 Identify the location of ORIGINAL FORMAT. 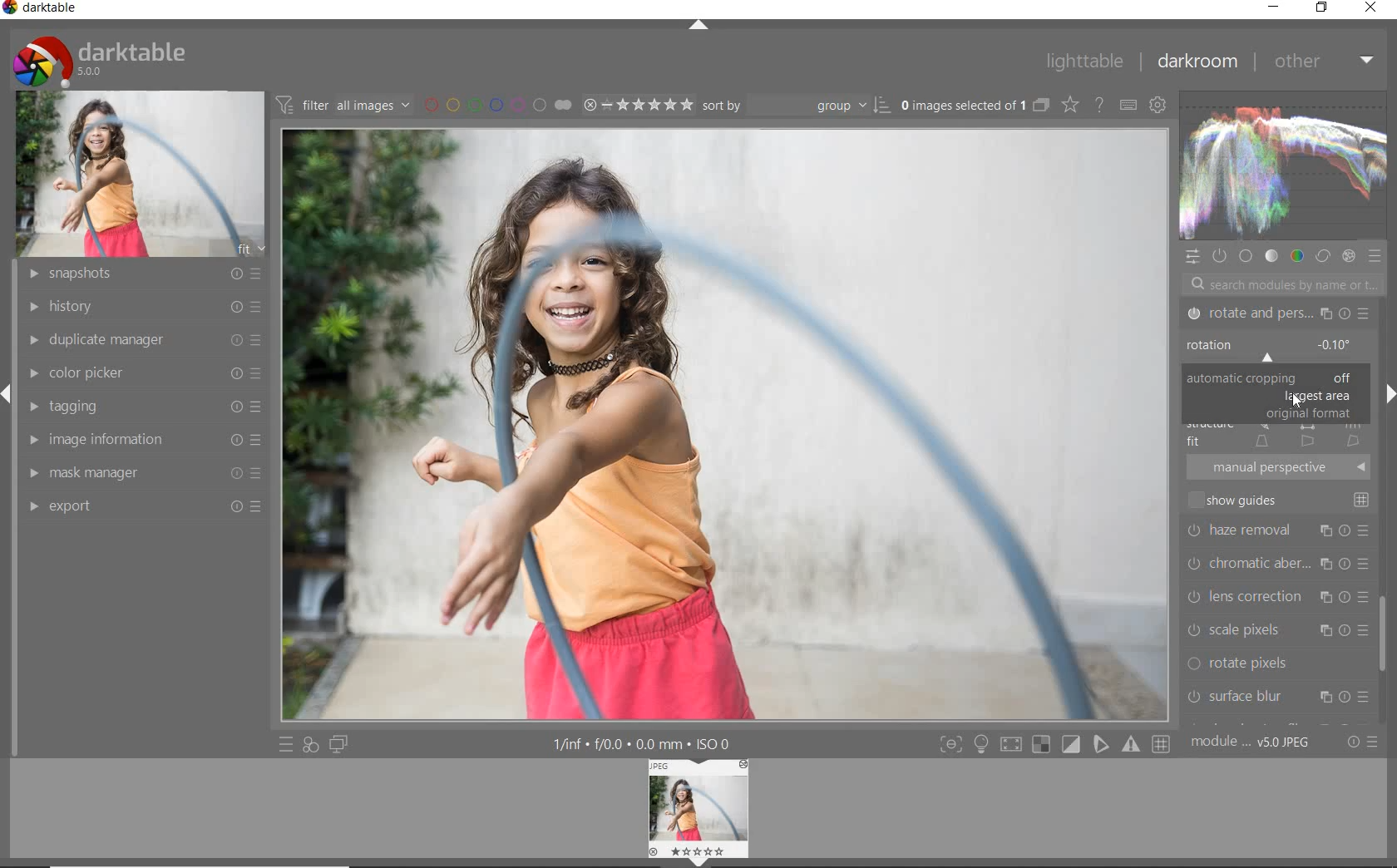
(1308, 414).